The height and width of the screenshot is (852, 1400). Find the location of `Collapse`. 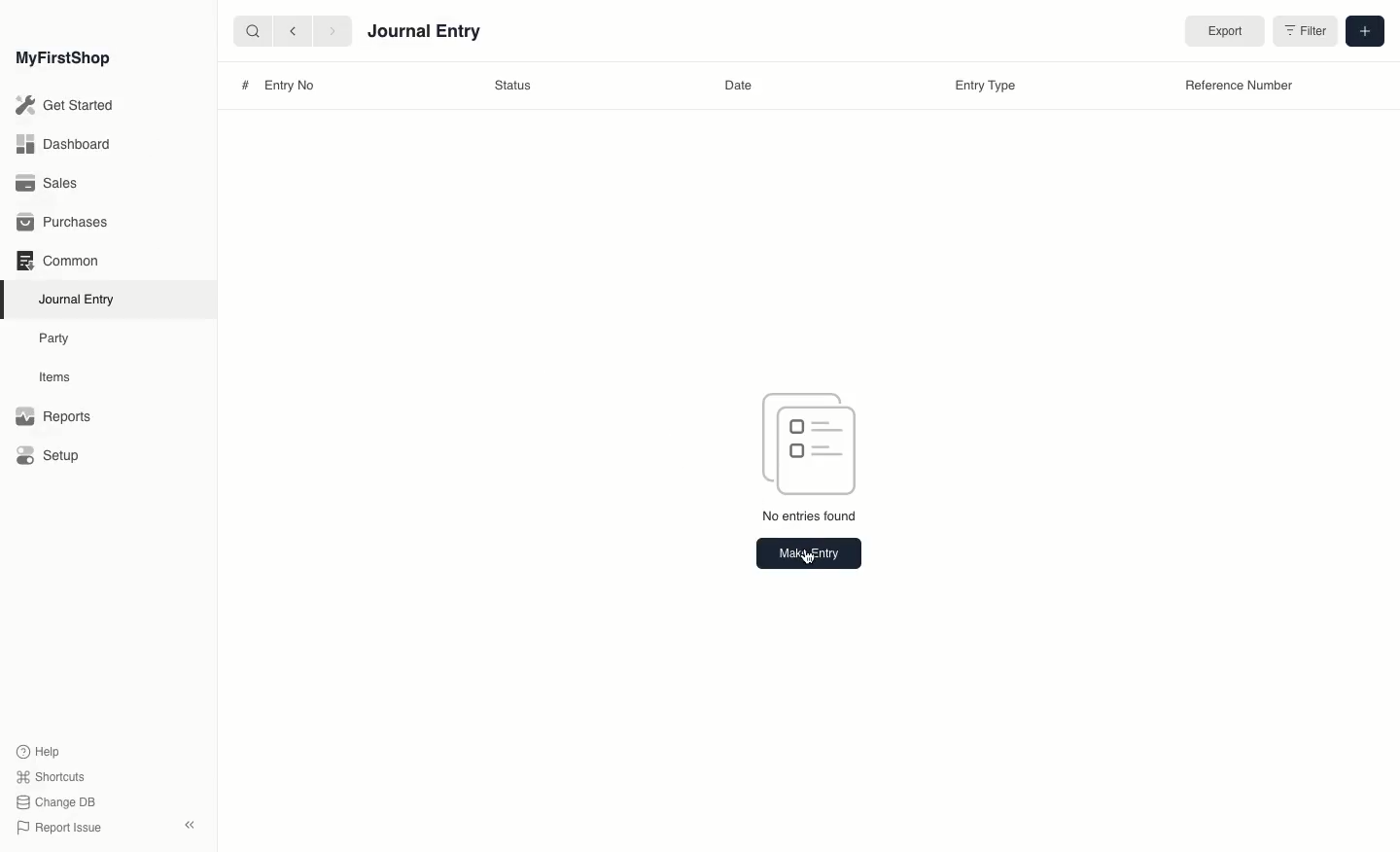

Collapse is located at coordinates (190, 825).